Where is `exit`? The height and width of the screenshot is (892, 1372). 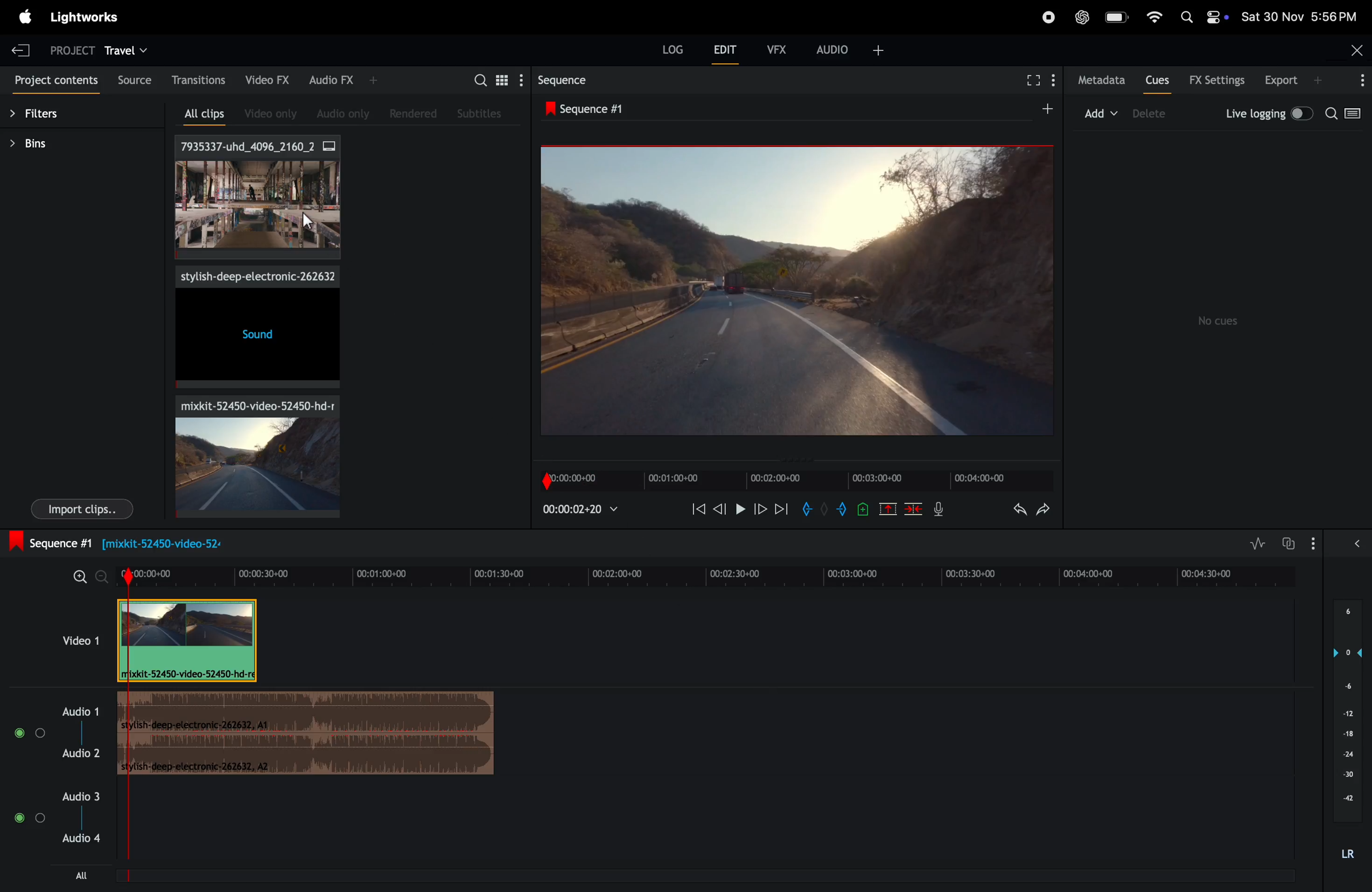
exit is located at coordinates (21, 50).